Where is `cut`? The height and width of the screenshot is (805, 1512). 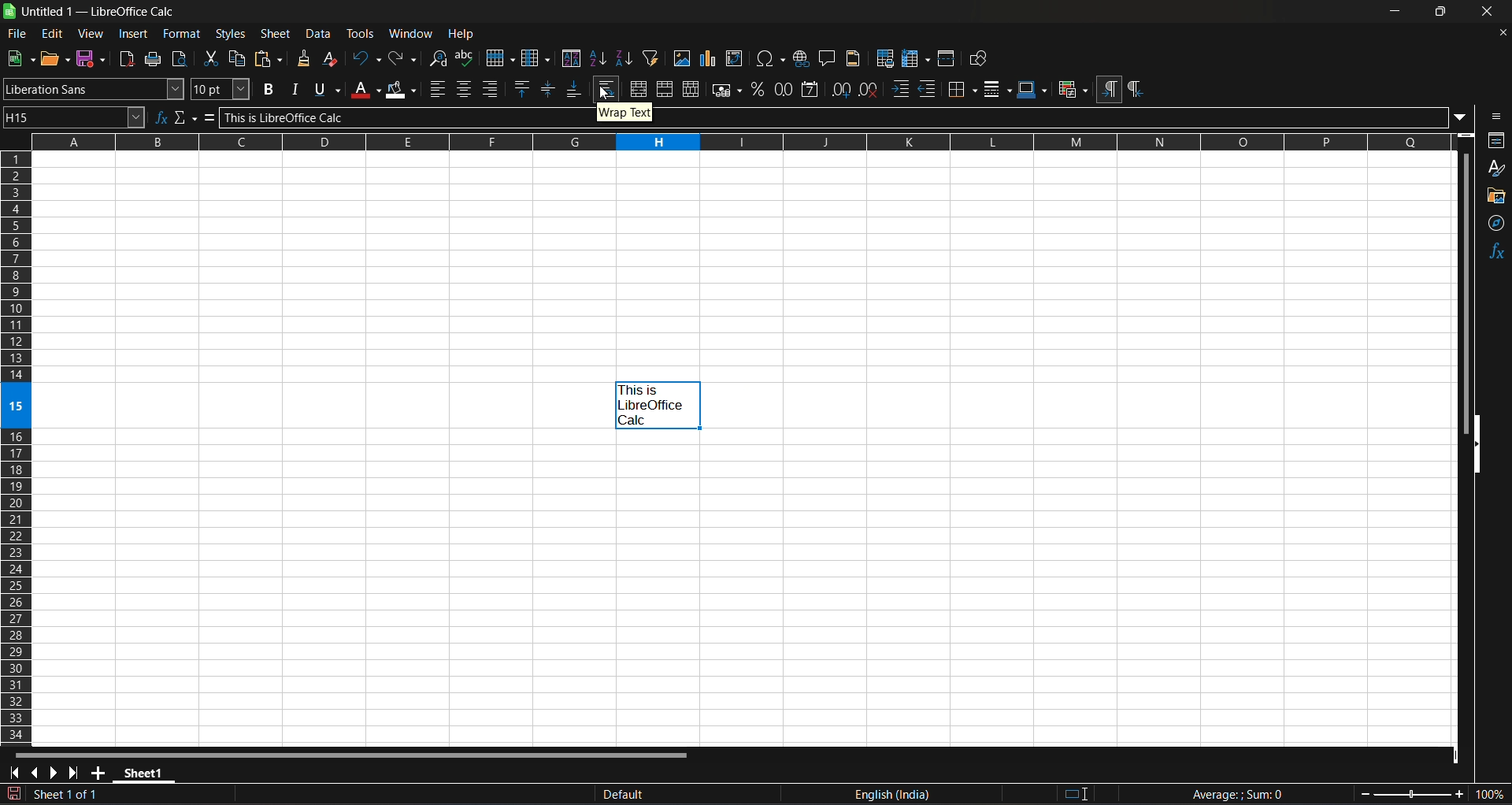
cut is located at coordinates (213, 59).